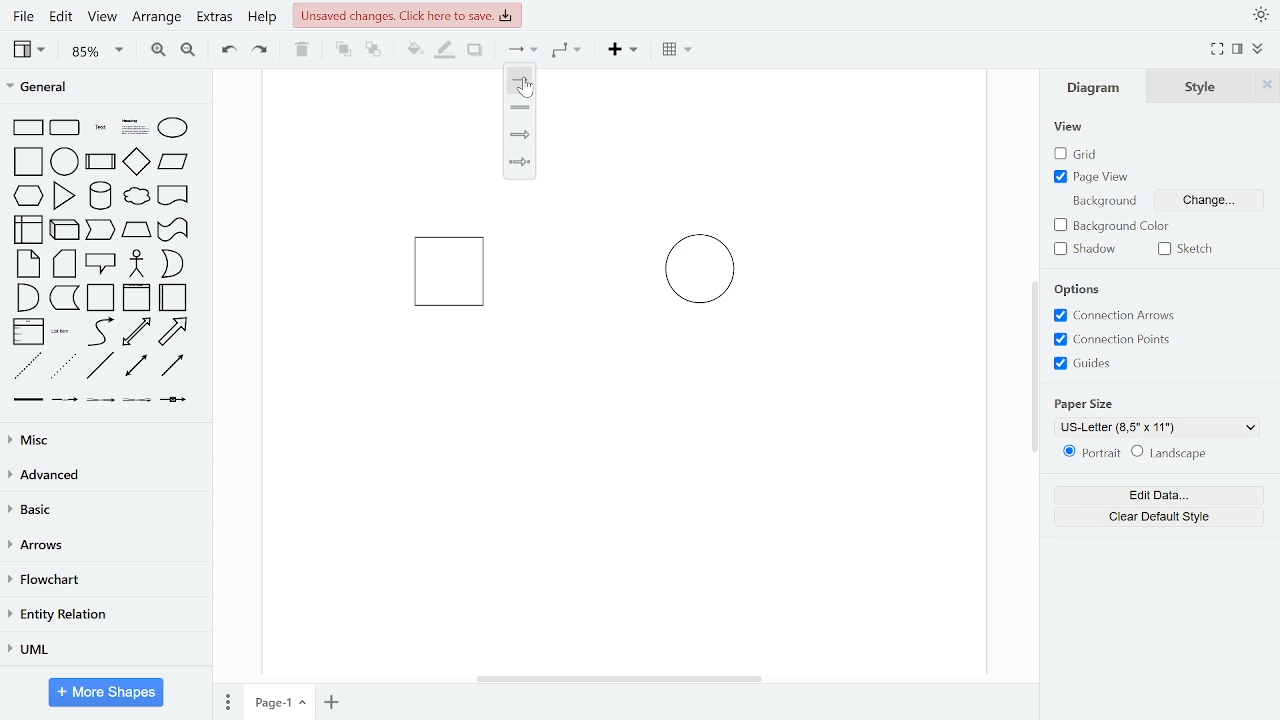 Image resolution: width=1280 pixels, height=720 pixels. What do you see at coordinates (332, 702) in the screenshot?
I see `add page` at bounding box center [332, 702].